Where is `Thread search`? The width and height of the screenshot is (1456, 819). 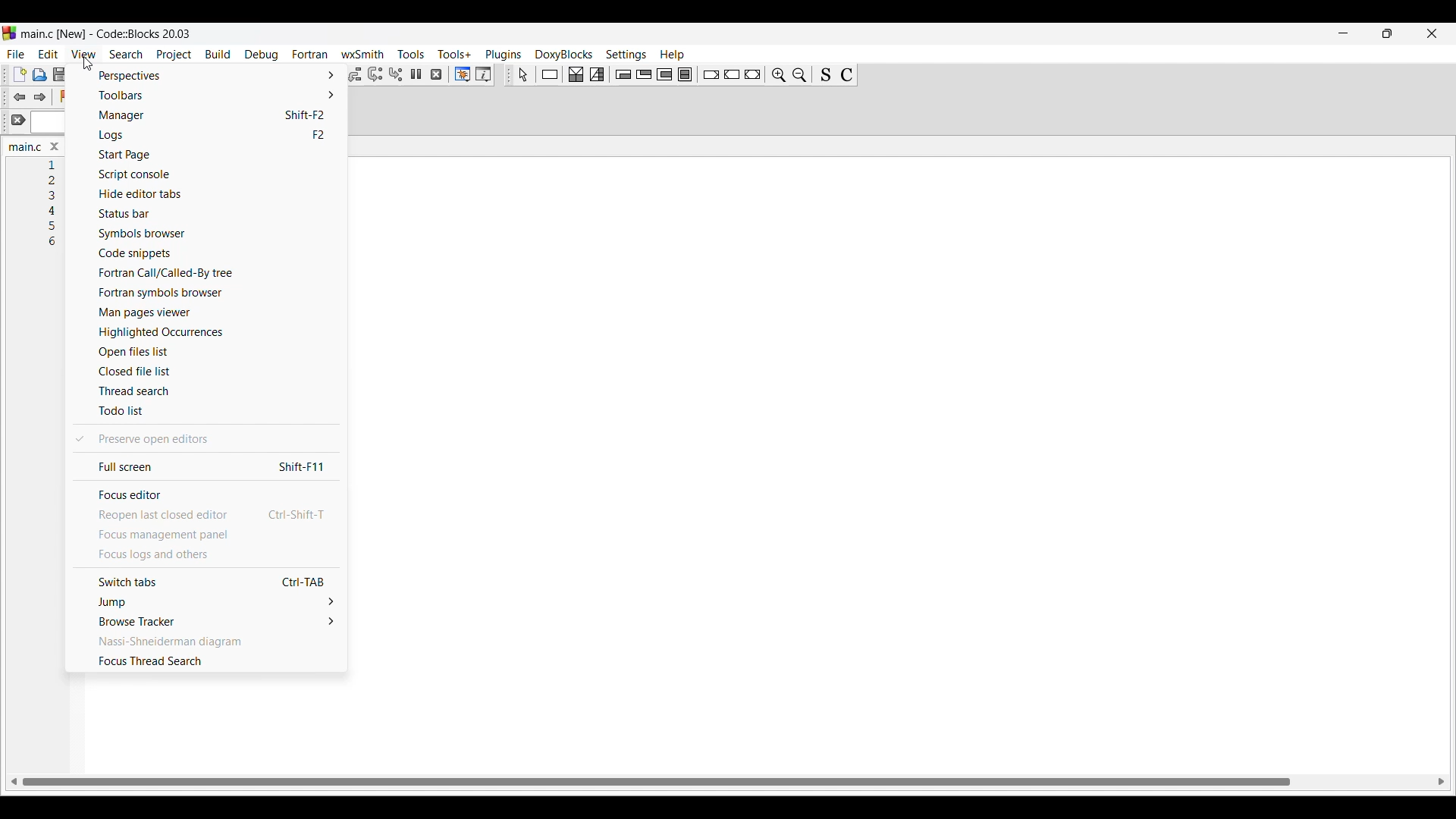 Thread search is located at coordinates (208, 390).